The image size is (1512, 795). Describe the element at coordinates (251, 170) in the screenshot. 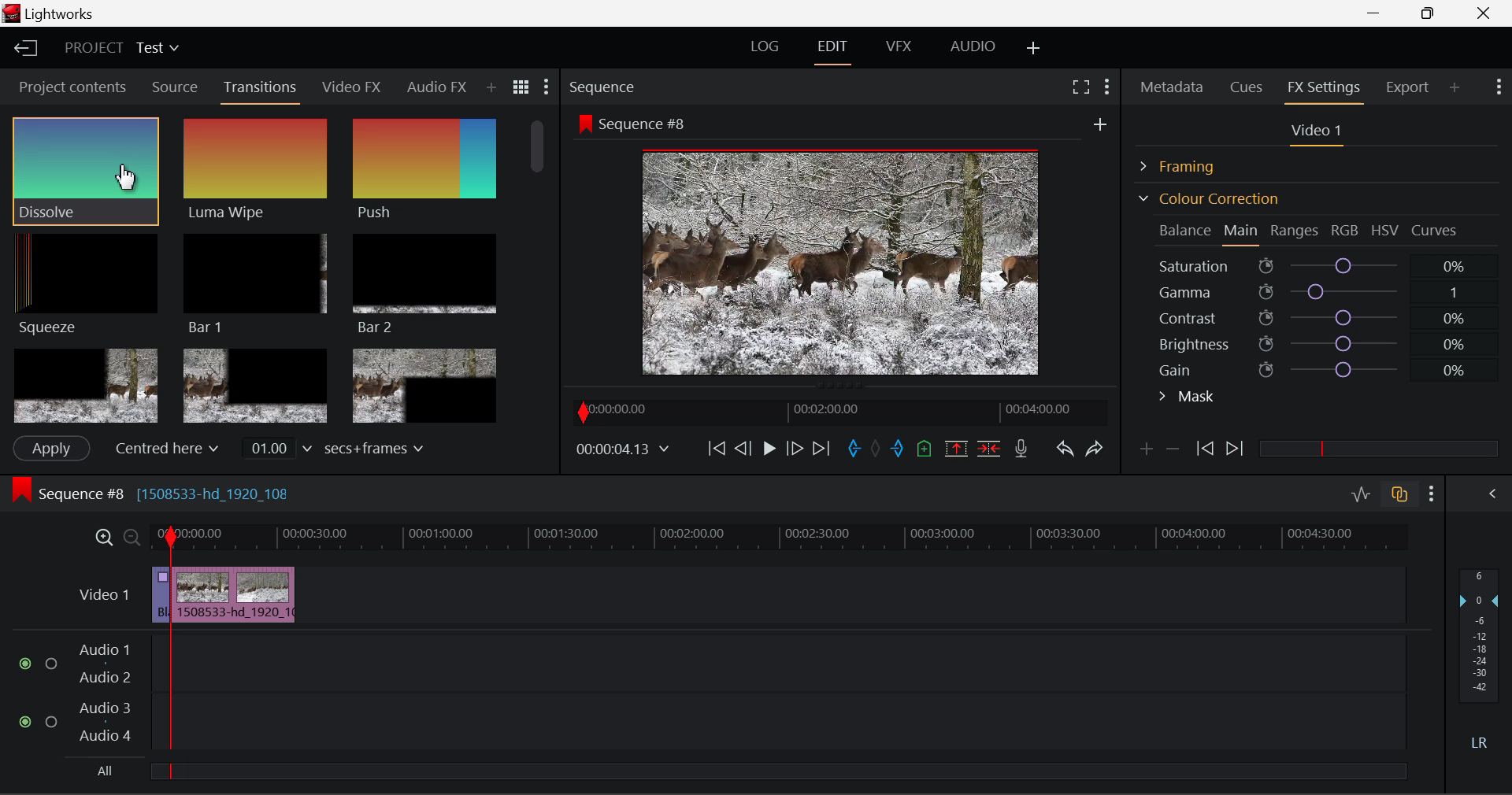

I see `Luma Wipe` at that location.